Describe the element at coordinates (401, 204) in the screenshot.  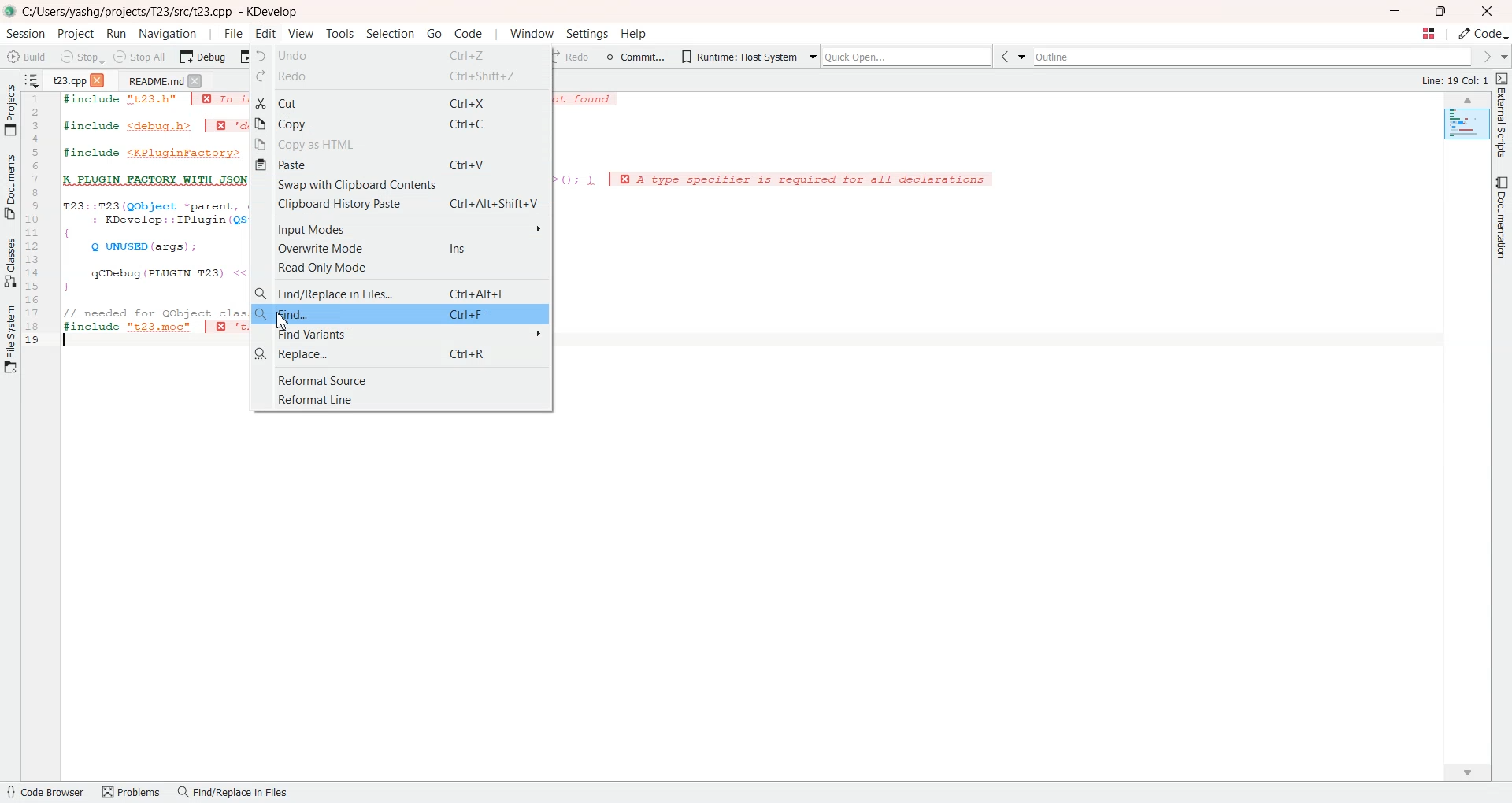
I see `Clipboard History Paste` at that location.